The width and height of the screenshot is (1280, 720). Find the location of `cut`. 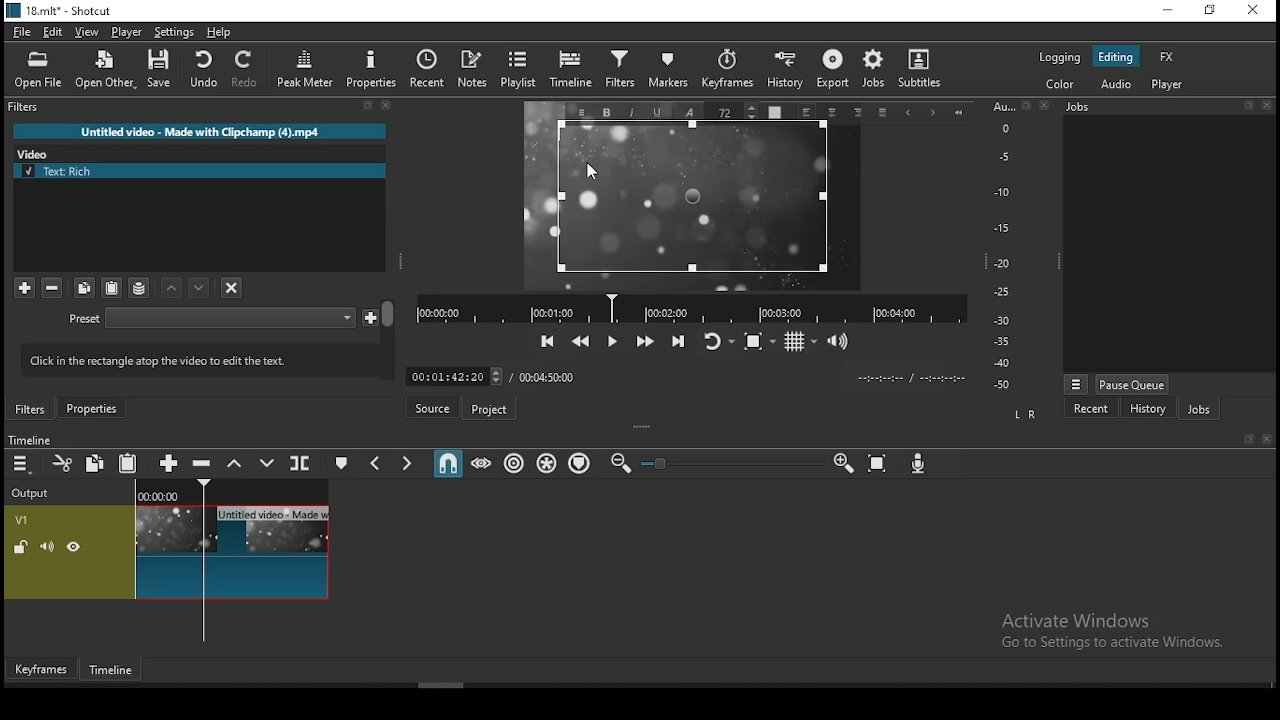

cut is located at coordinates (62, 463).